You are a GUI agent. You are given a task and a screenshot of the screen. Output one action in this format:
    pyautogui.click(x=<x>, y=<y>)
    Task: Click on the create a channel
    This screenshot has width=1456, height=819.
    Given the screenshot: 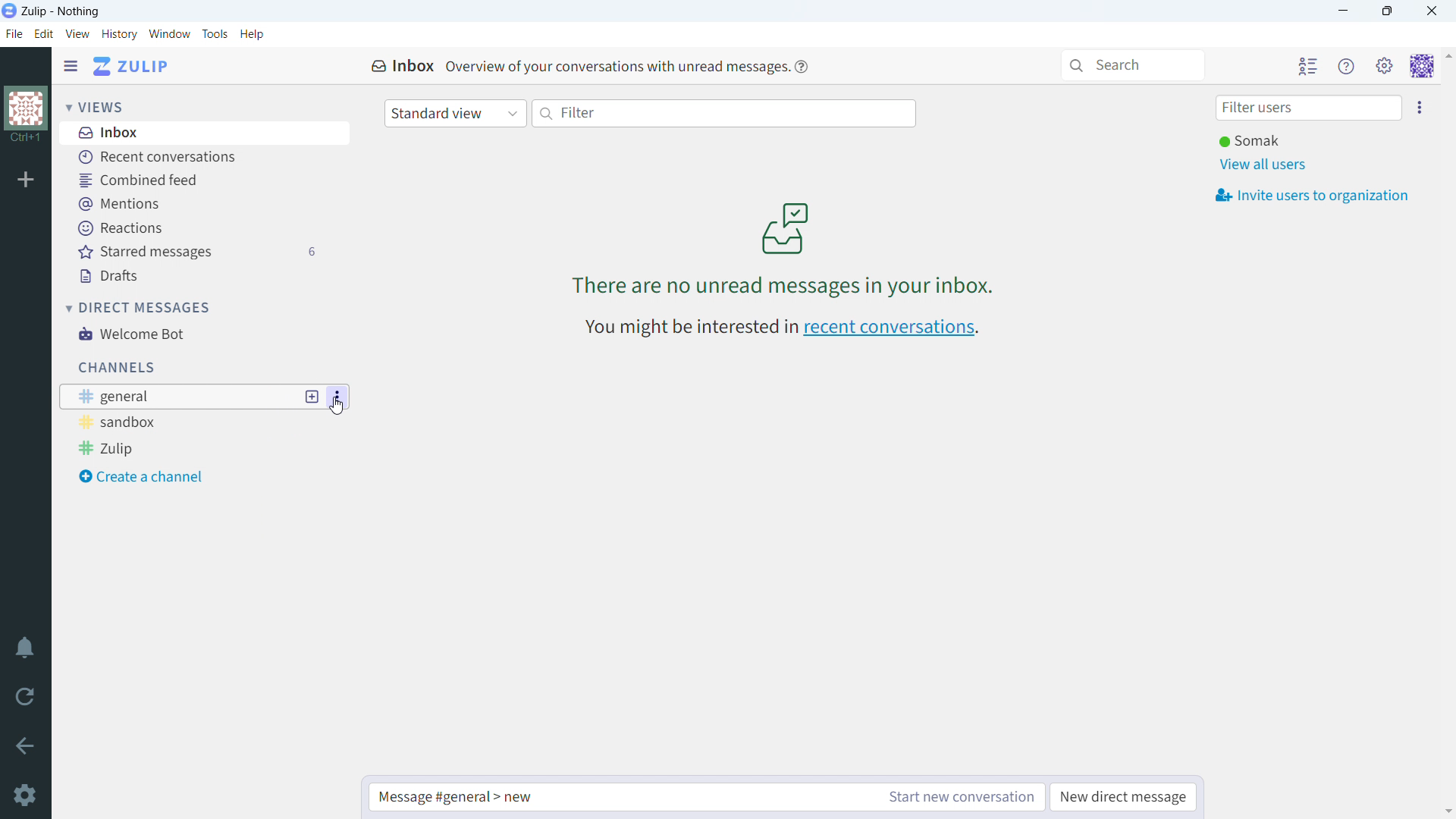 What is the action you would take?
    pyautogui.click(x=180, y=477)
    